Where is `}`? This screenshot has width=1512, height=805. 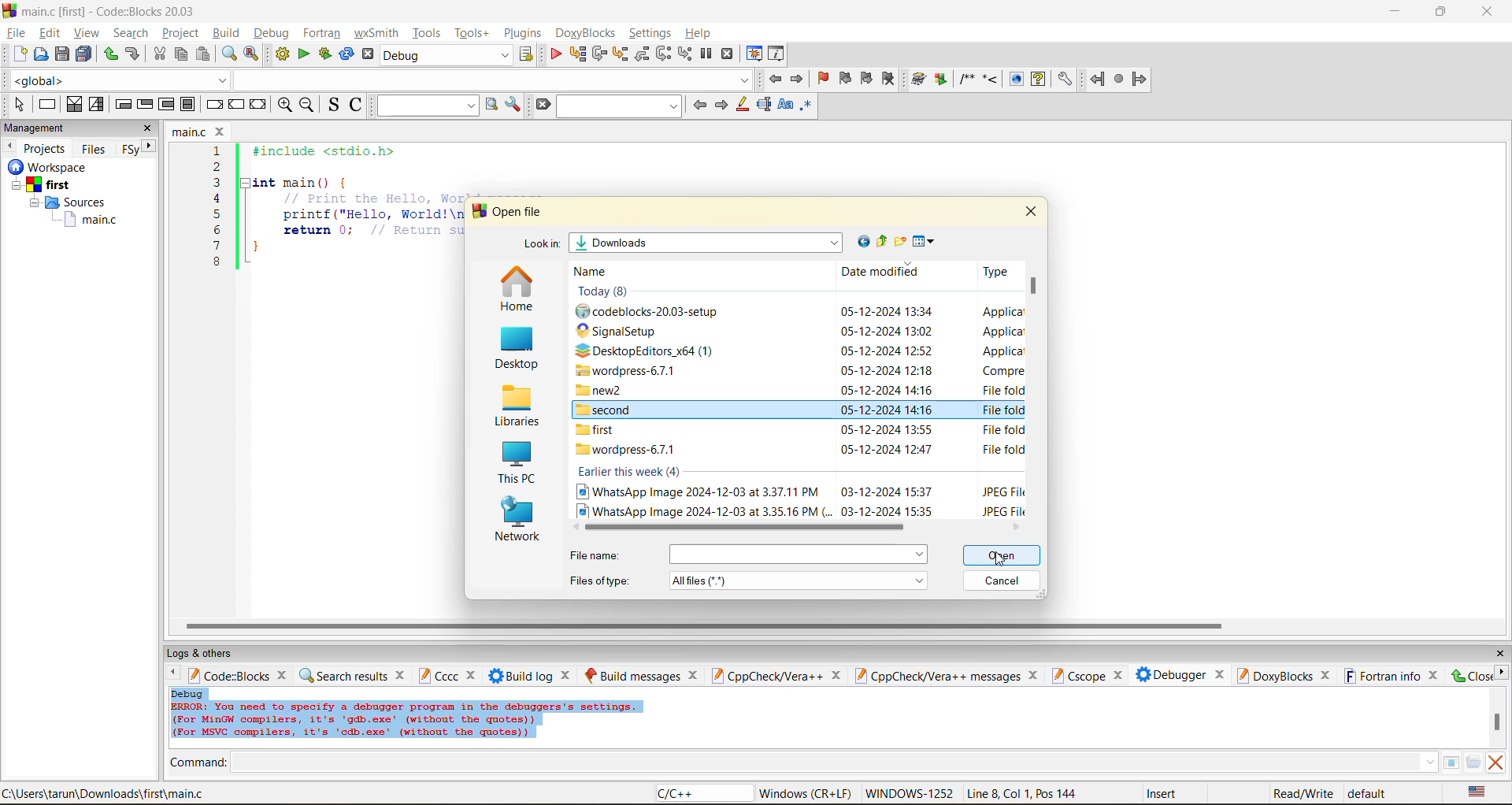 } is located at coordinates (256, 249).